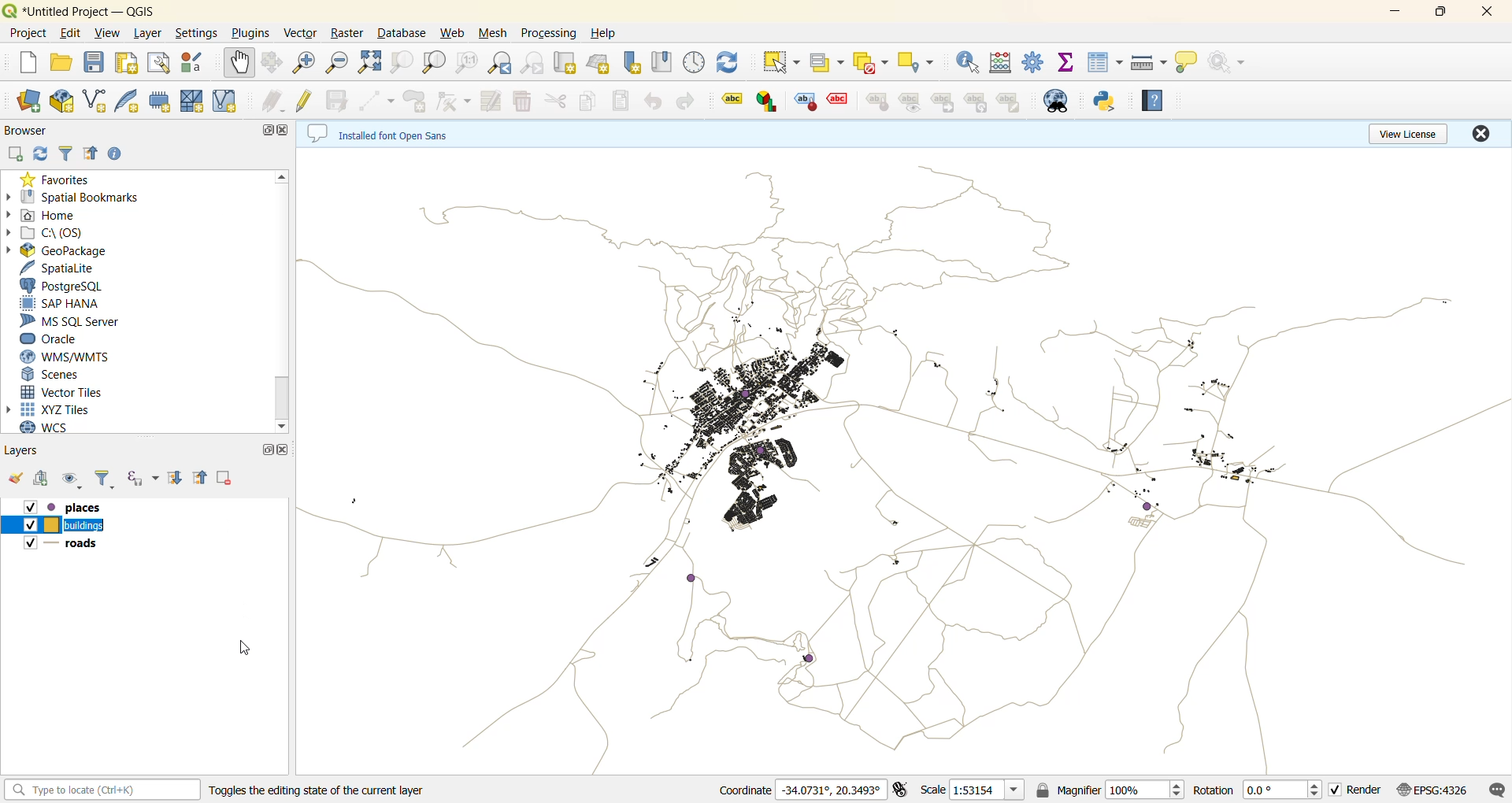 Image resolution: width=1512 pixels, height=803 pixels. I want to click on scenes, so click(54, 375).